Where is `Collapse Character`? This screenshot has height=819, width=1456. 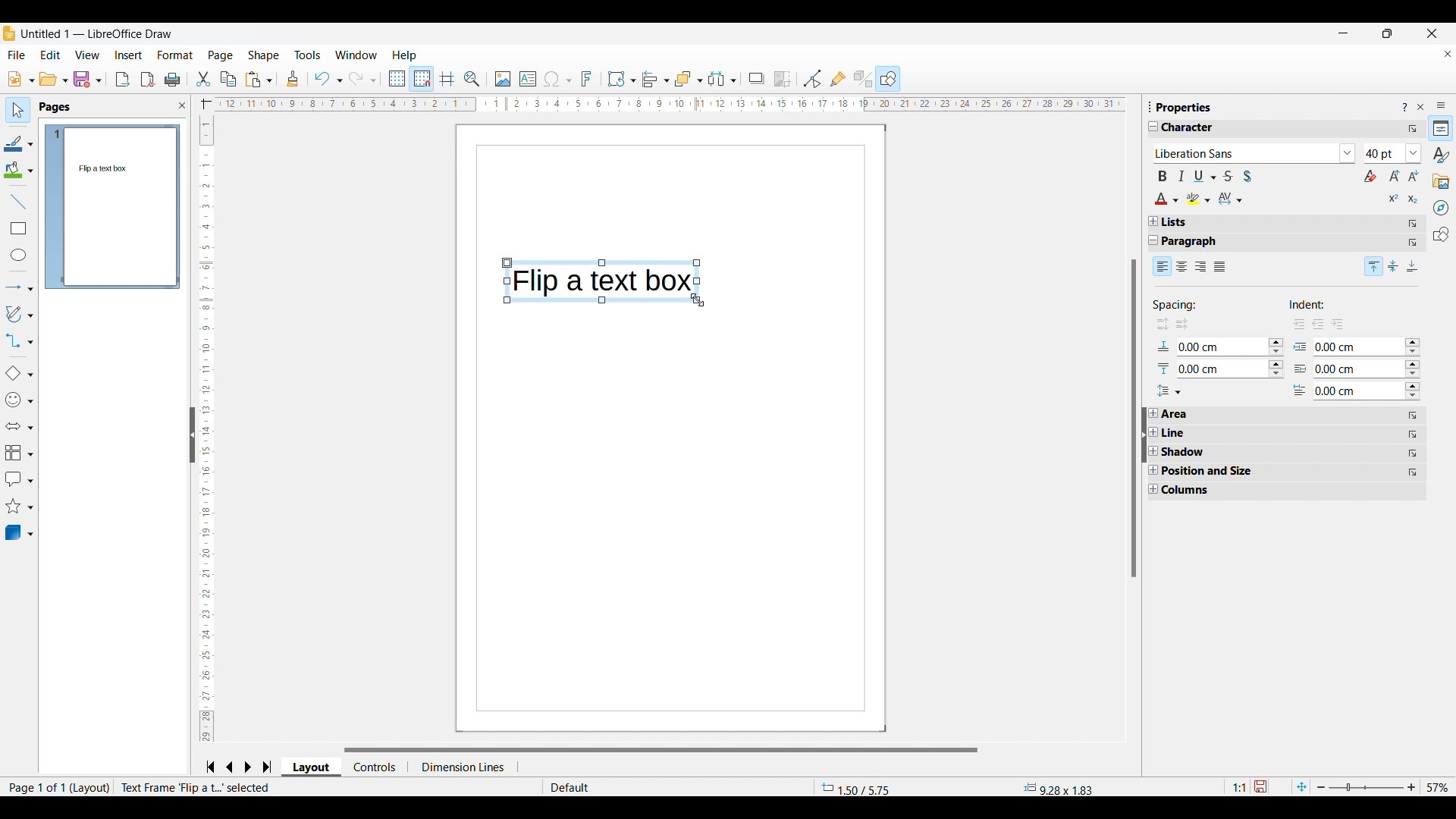 Collapse Character is located at coordinates (1154, 126).